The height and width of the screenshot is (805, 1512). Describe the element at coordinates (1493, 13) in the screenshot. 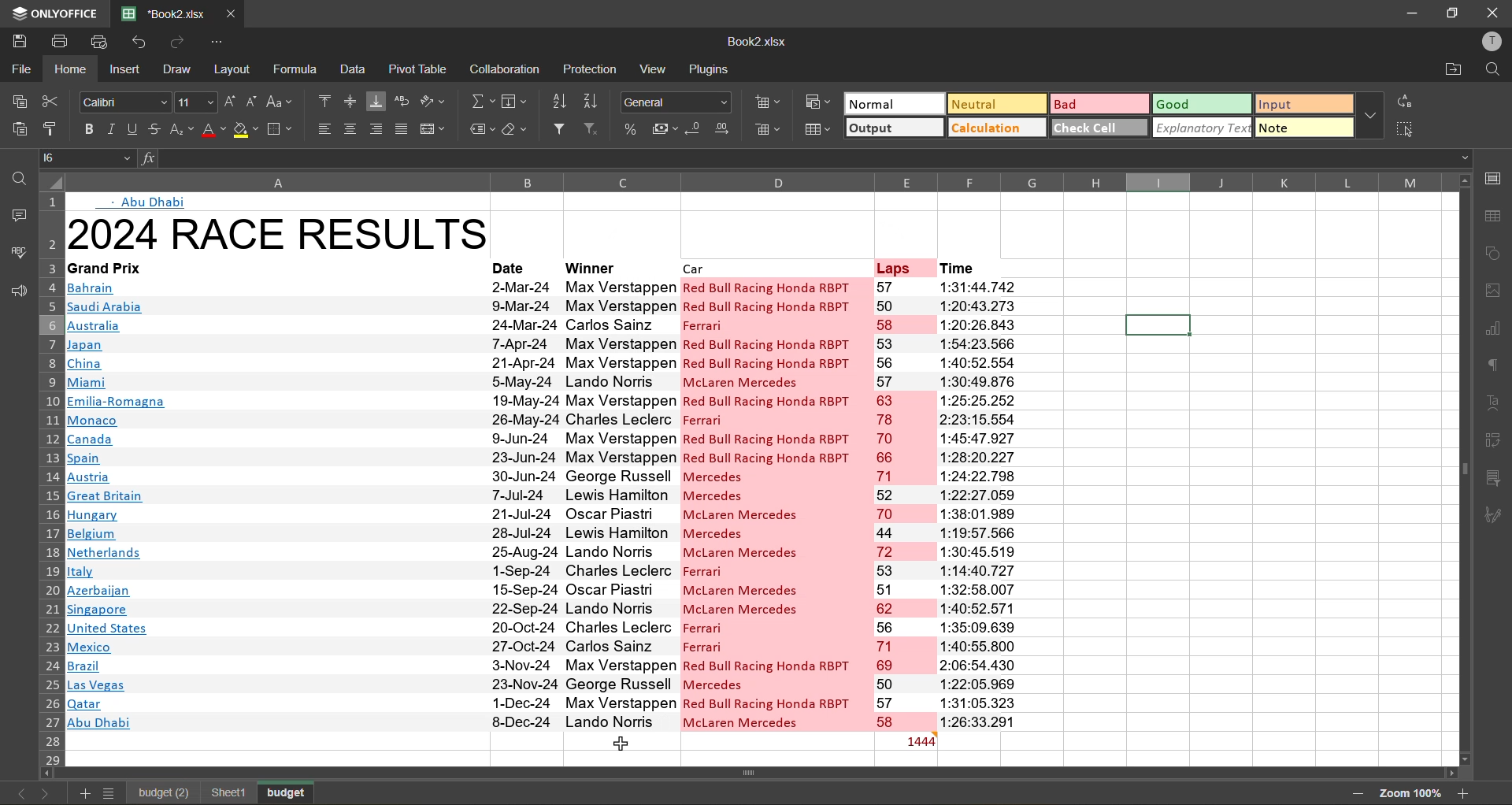

I see `close` at that location.